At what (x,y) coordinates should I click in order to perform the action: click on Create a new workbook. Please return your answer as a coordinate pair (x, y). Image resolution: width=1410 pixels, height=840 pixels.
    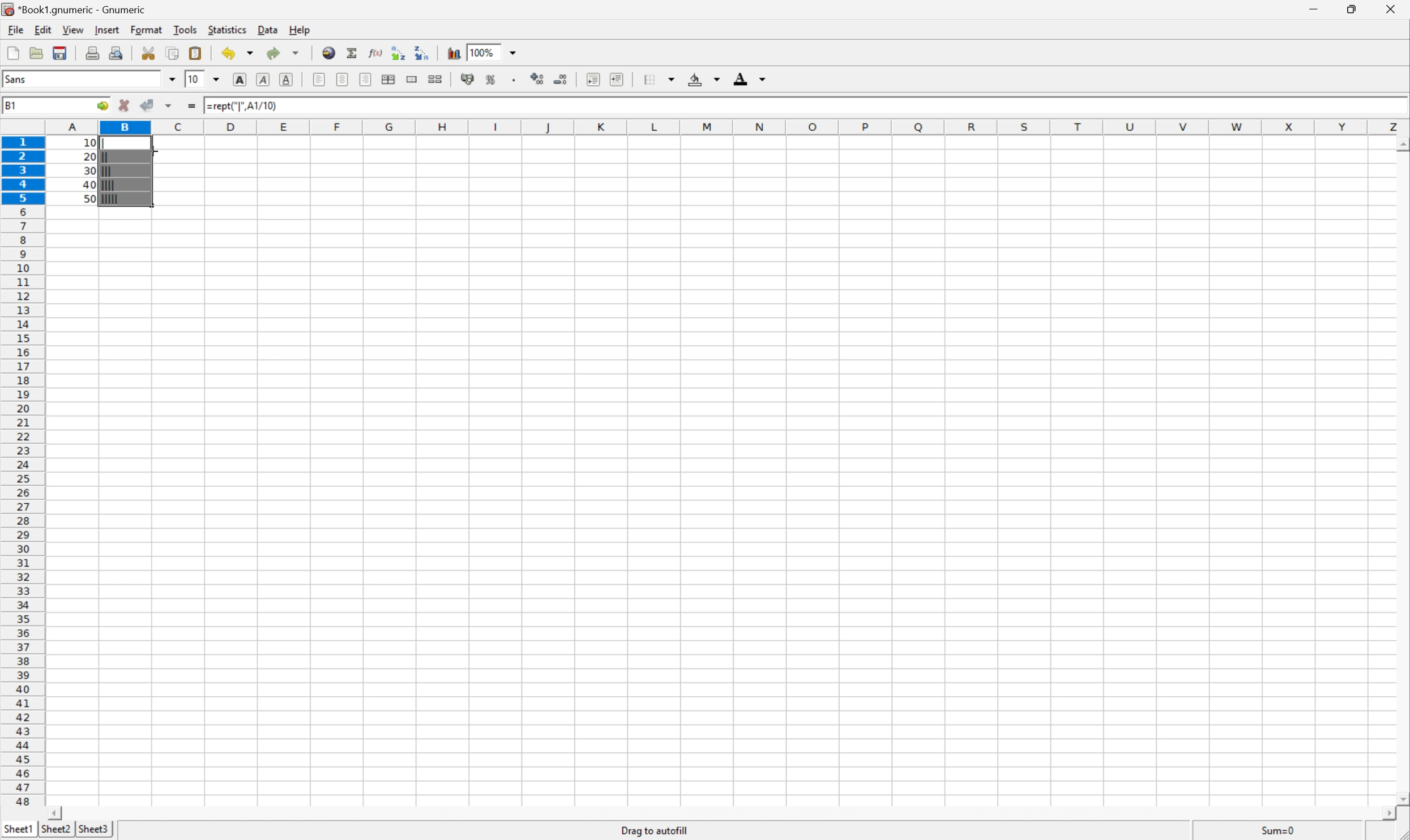
    Looking at the image, I should click on (14, 52).